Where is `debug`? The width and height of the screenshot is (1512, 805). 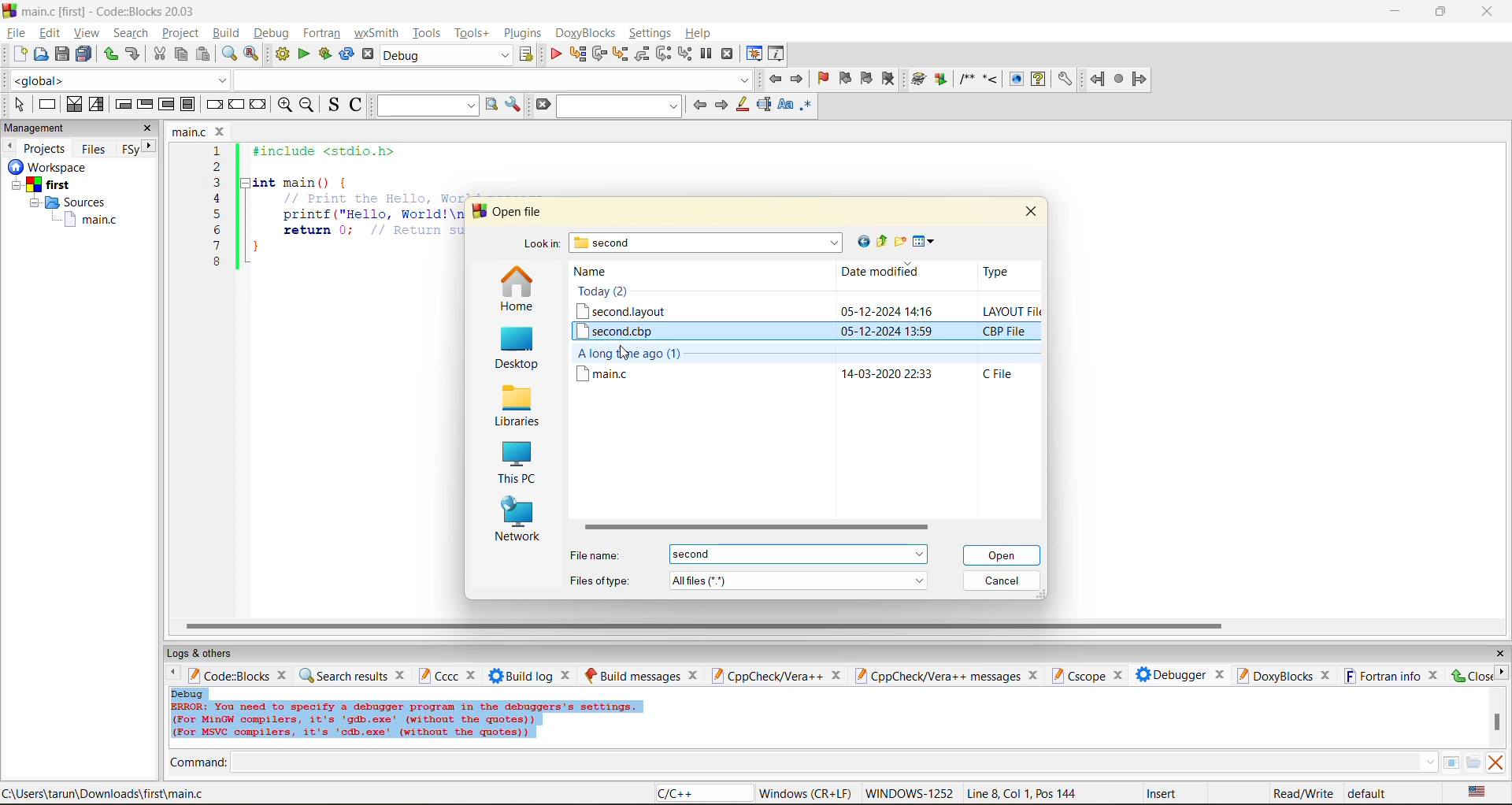 debug is located at coordinates (269, 33).